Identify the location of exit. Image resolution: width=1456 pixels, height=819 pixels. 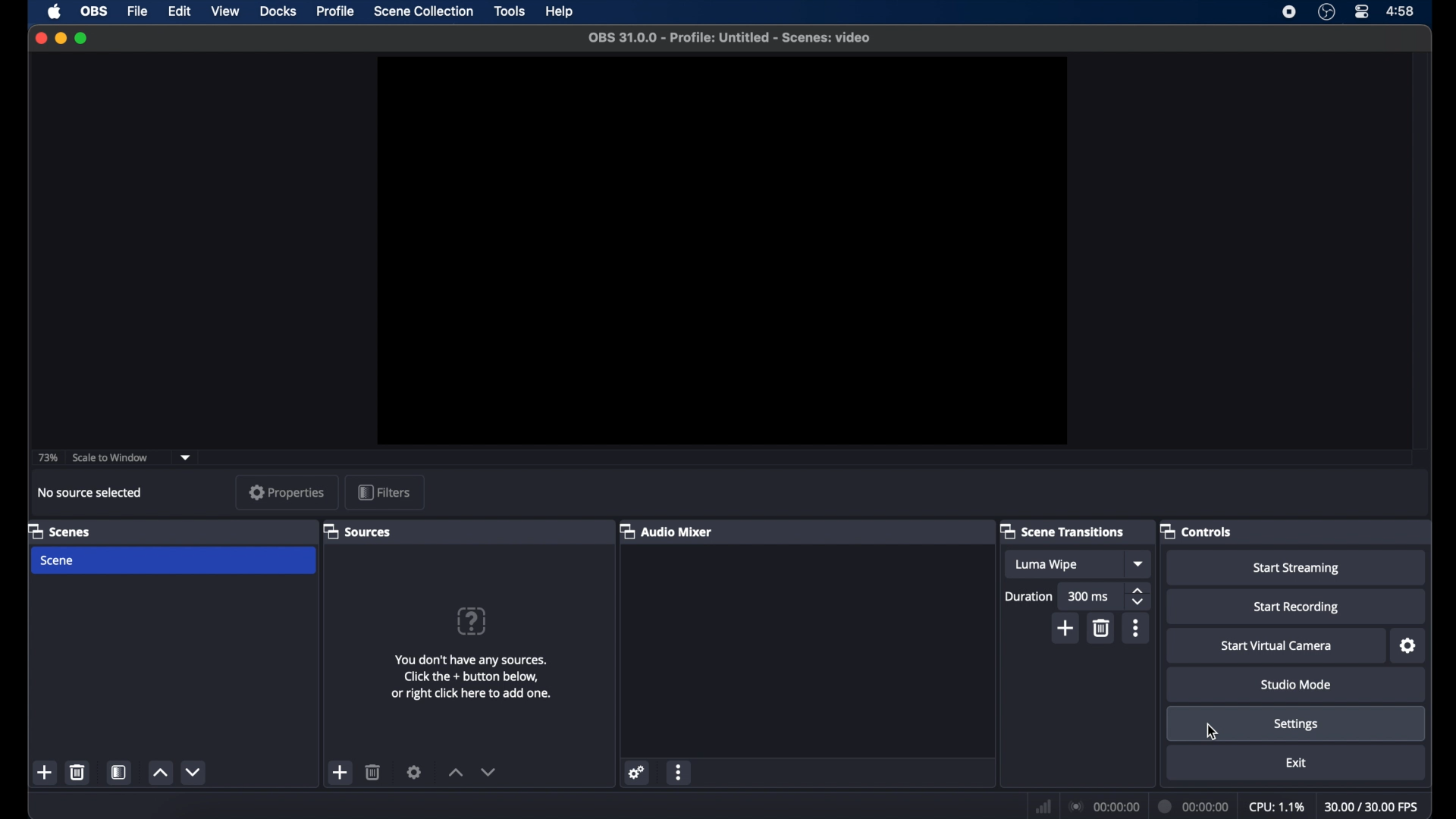
(1296, 763).